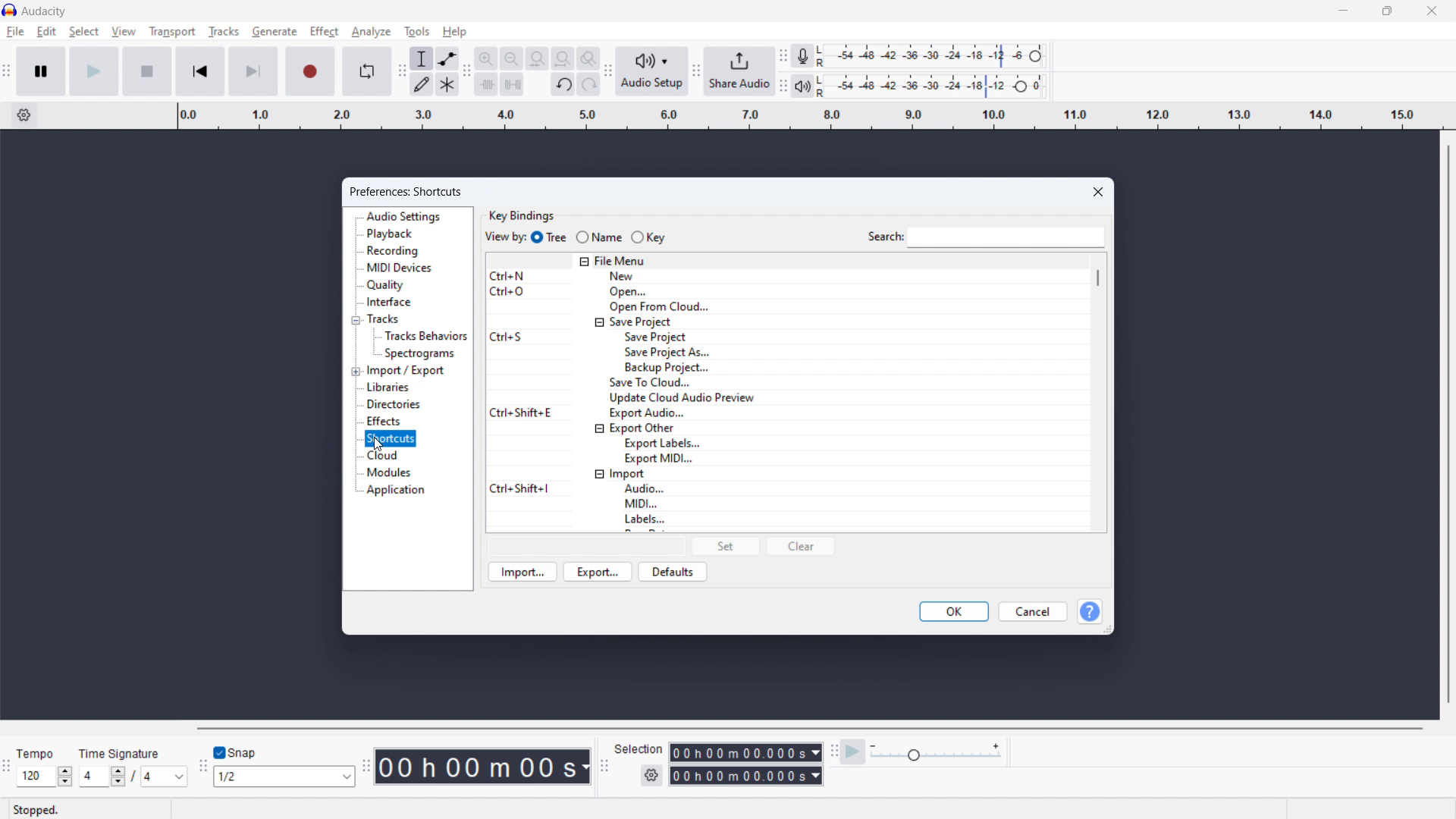 This screenshot has height=819, width=1456. Describe the element at coordinates (426, 336) in the screenshot. I see `tracks behavior` at that location.